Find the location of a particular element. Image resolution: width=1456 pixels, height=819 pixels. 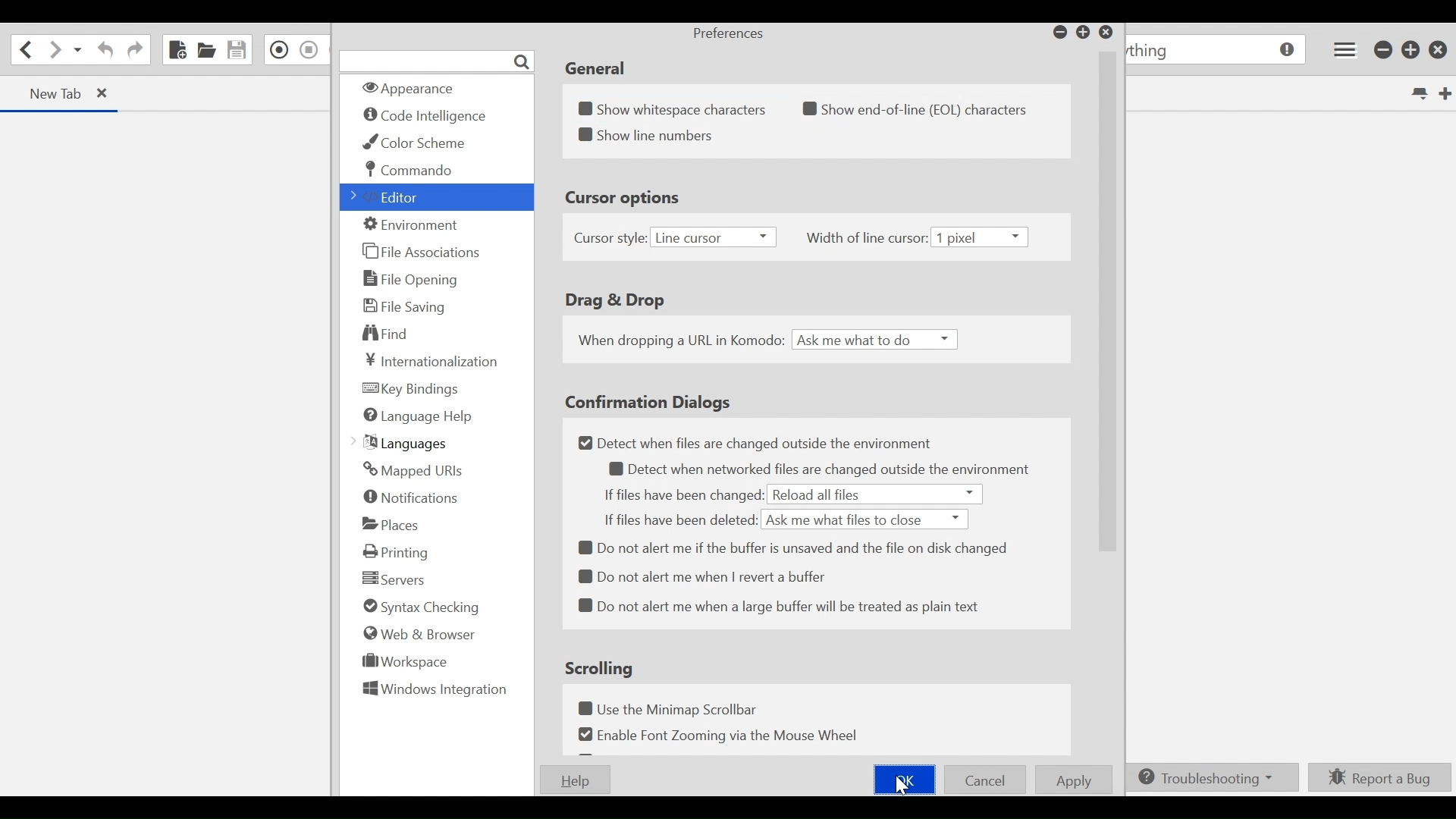

Places is located at coordinates (392, 524).